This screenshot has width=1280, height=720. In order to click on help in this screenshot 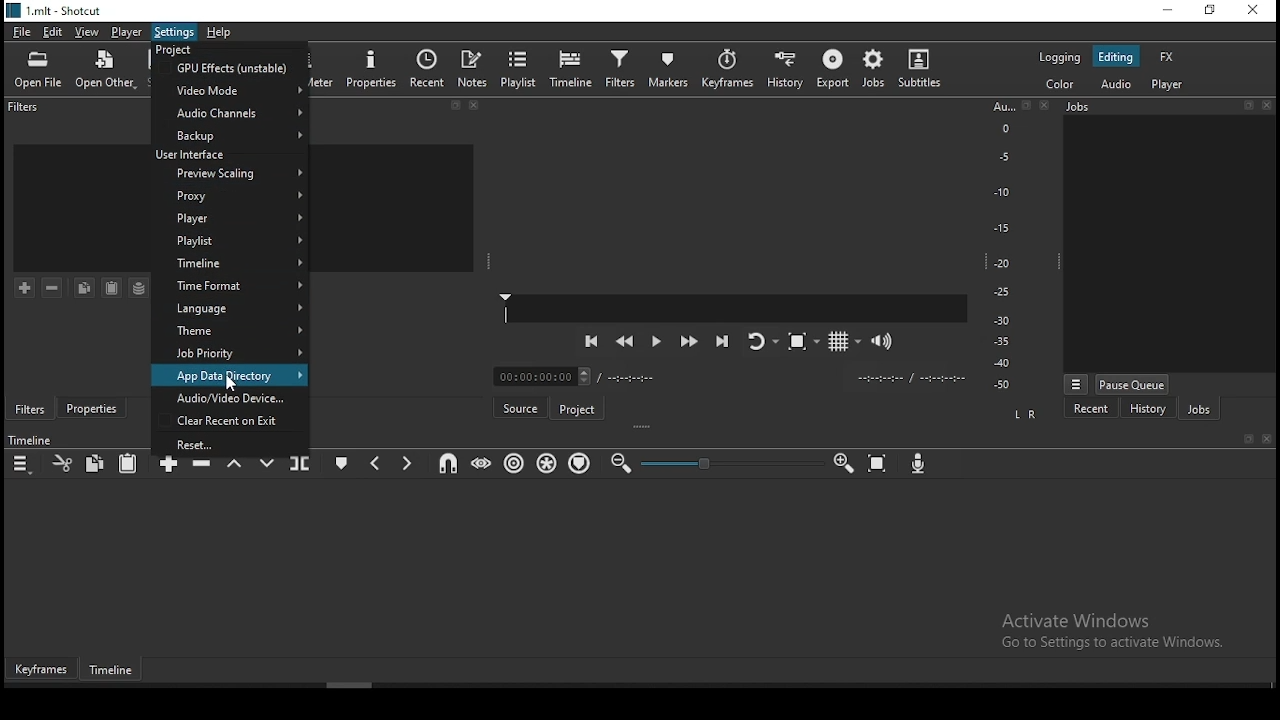, I will do `click(220, 32)`.